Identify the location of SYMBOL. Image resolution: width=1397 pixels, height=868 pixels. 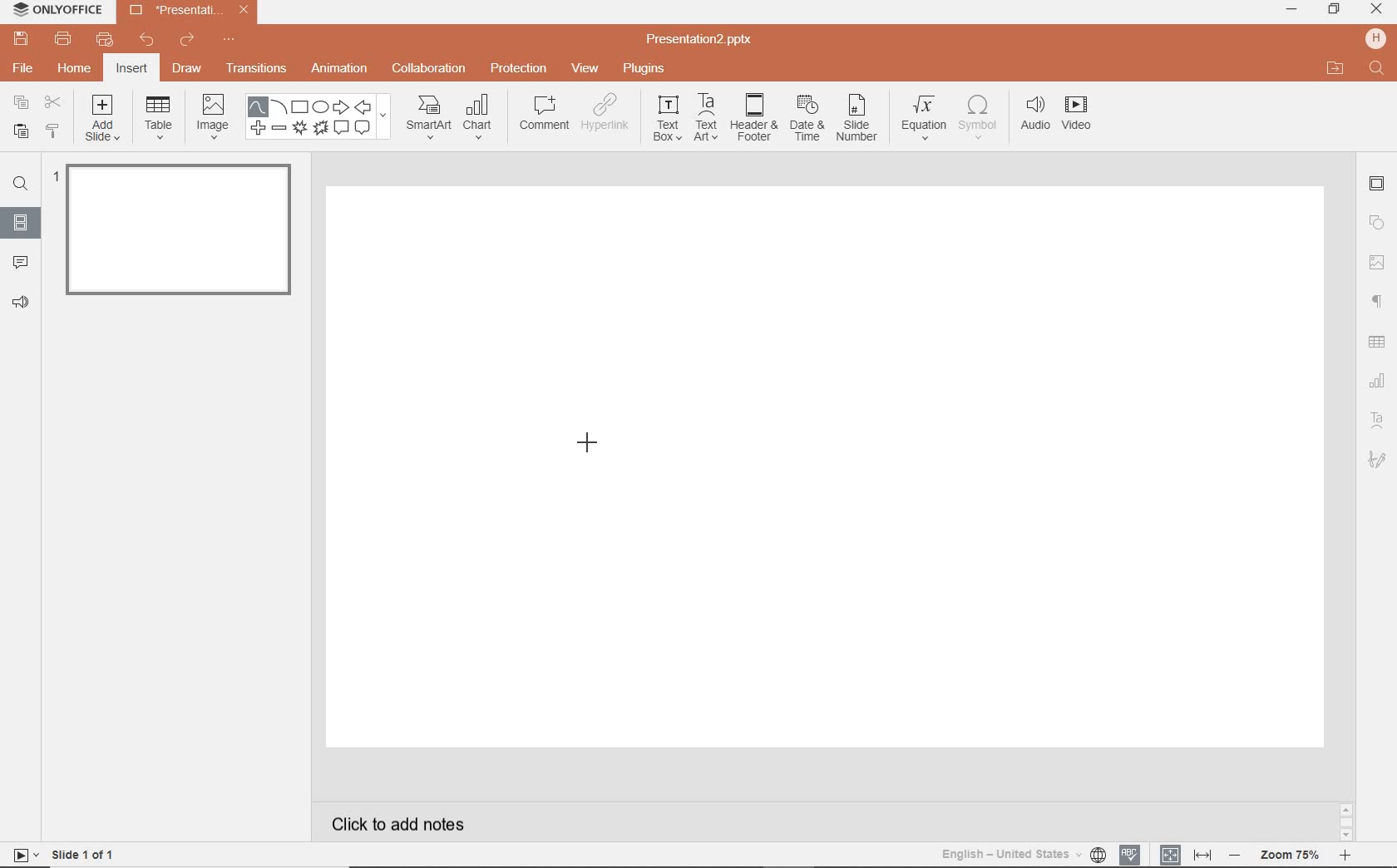
(978, 117).